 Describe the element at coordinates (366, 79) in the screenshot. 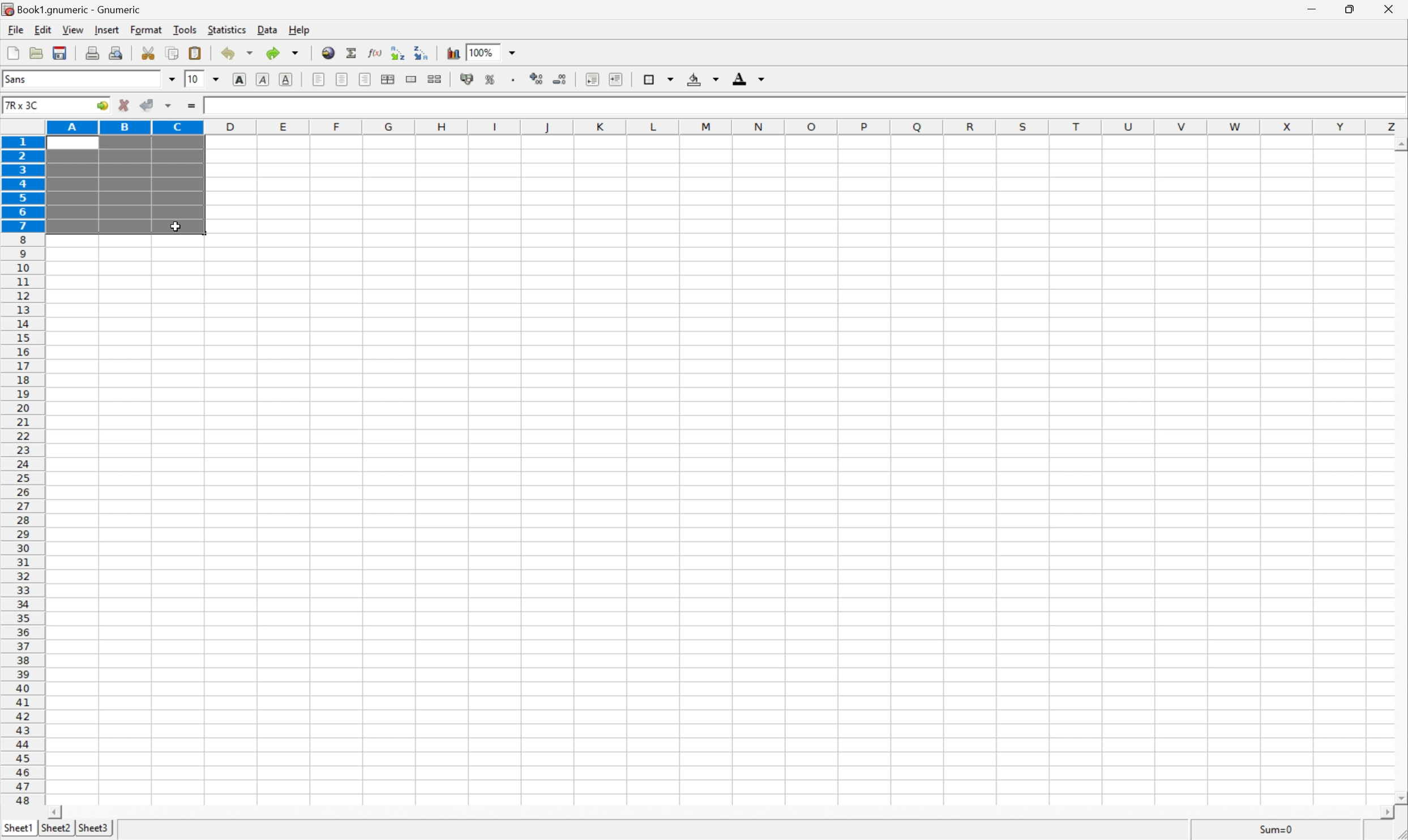

I see `Align Right` at that location.